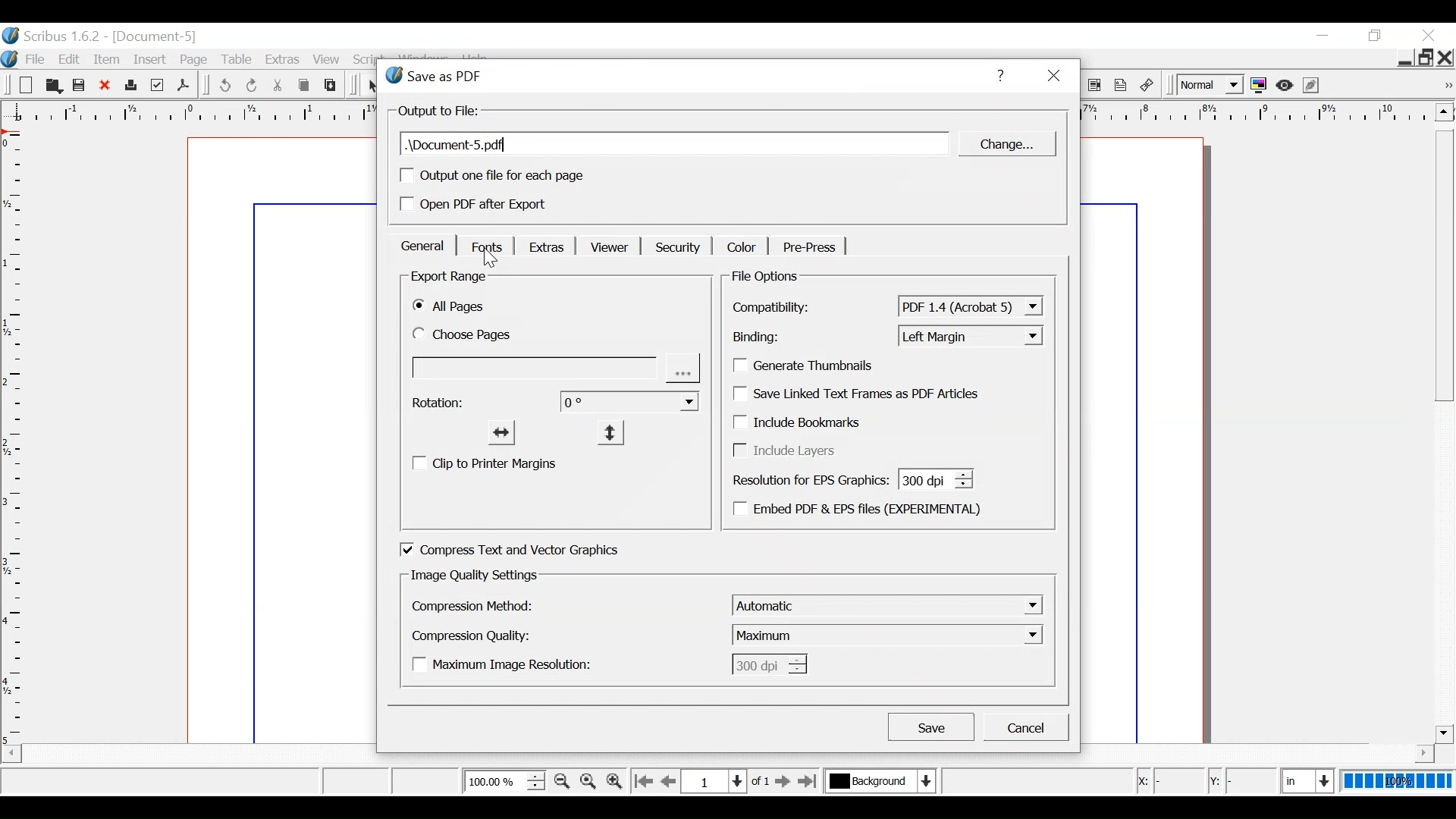  I want to click on Toggle color, so click(1259, 86).